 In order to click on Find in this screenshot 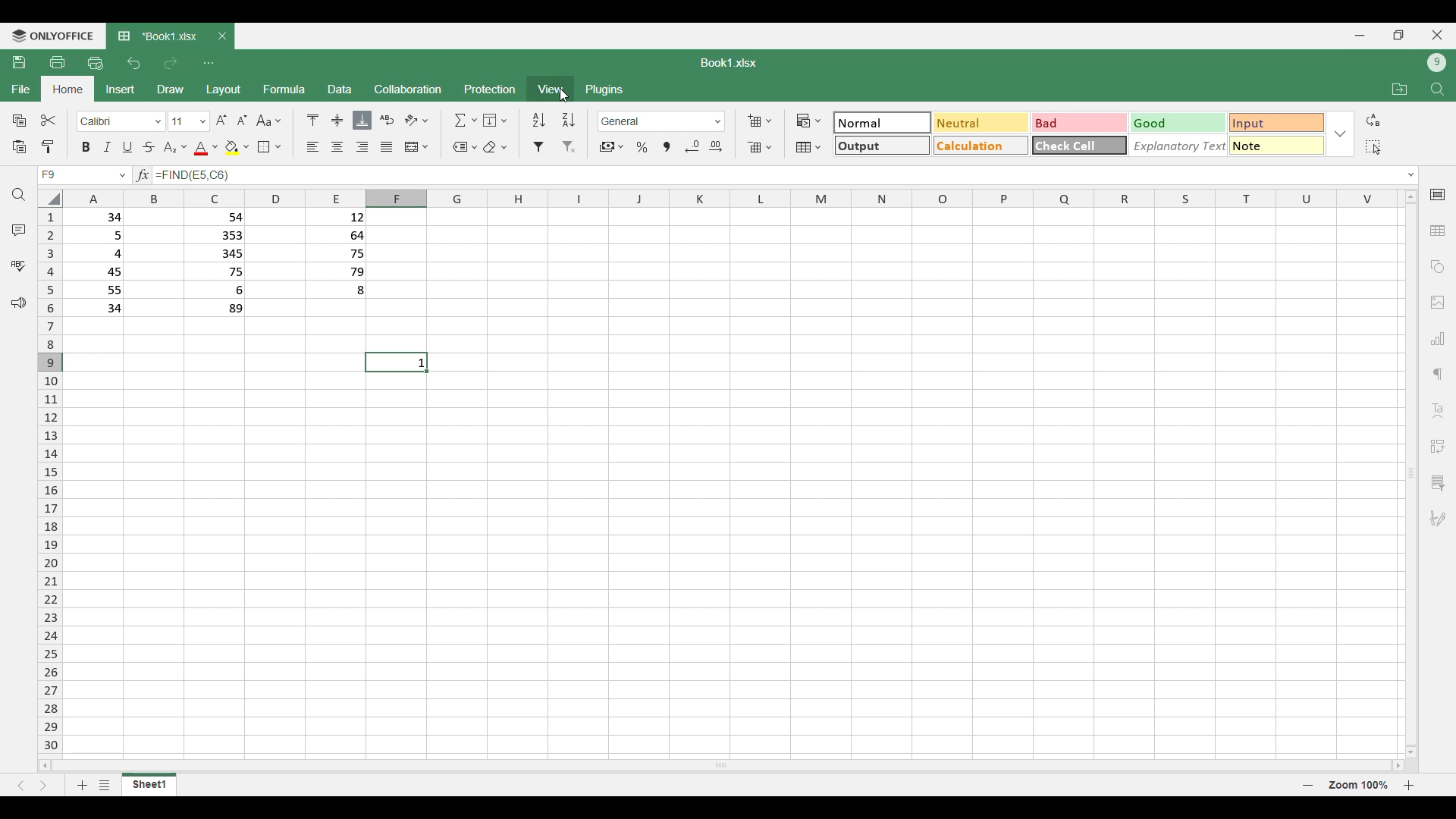, I will do `click(1438, 89)`.